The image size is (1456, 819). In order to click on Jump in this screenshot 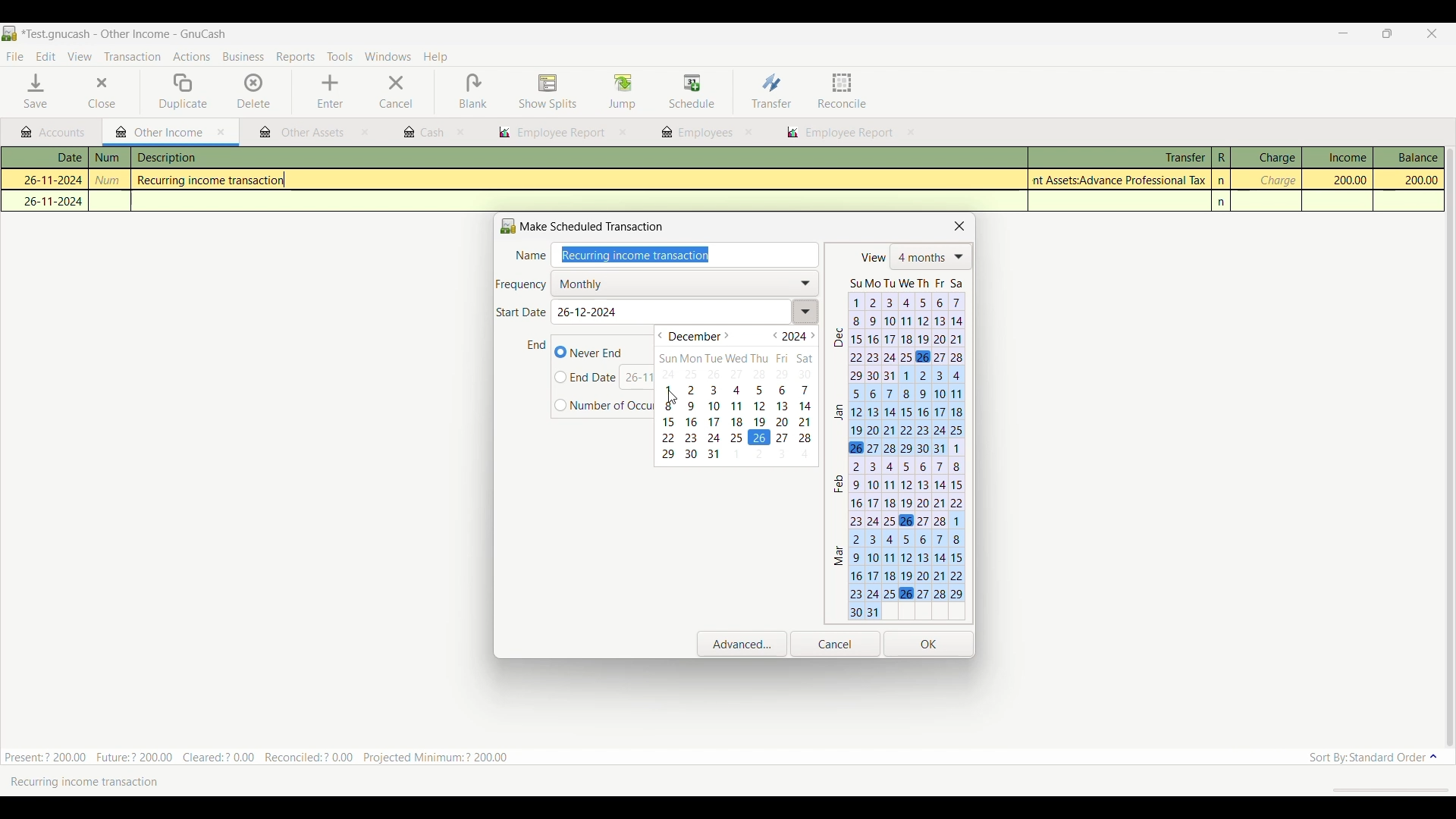, I will do `click(622, 91)`.